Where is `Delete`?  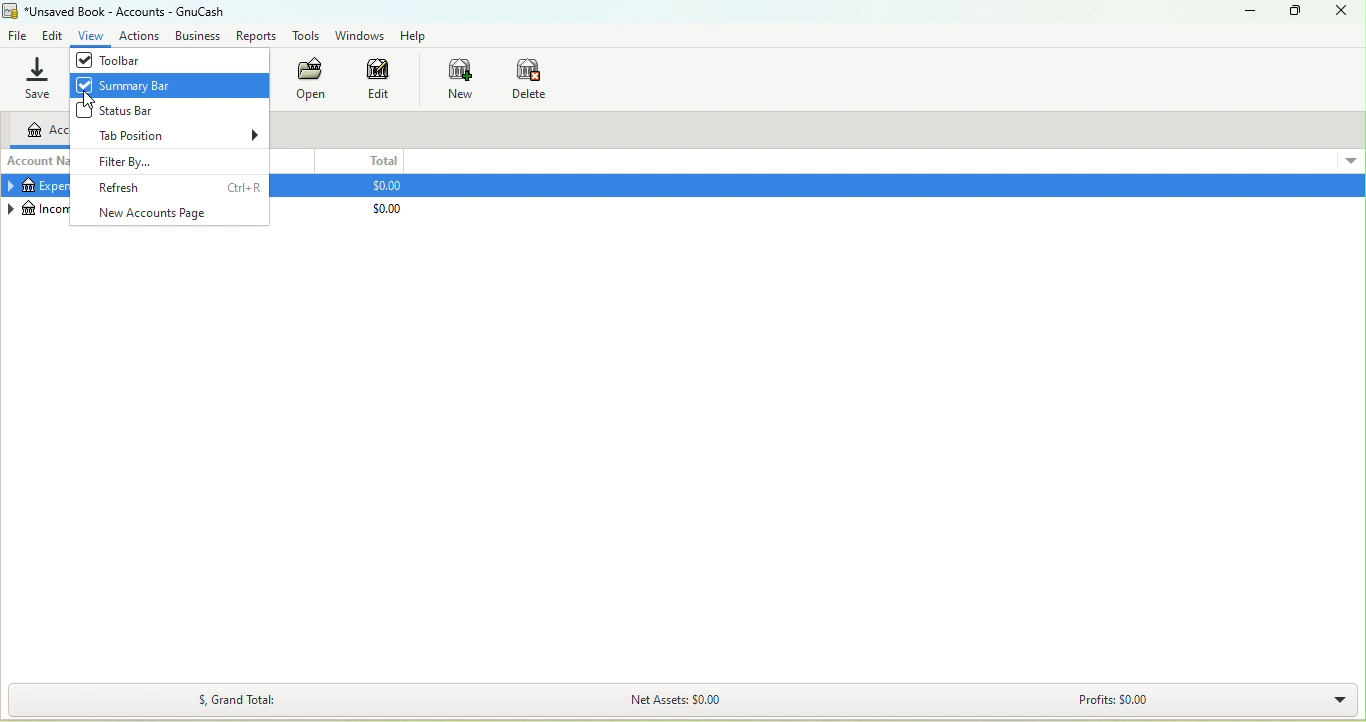 Delete is located at coordinates (530, 78).